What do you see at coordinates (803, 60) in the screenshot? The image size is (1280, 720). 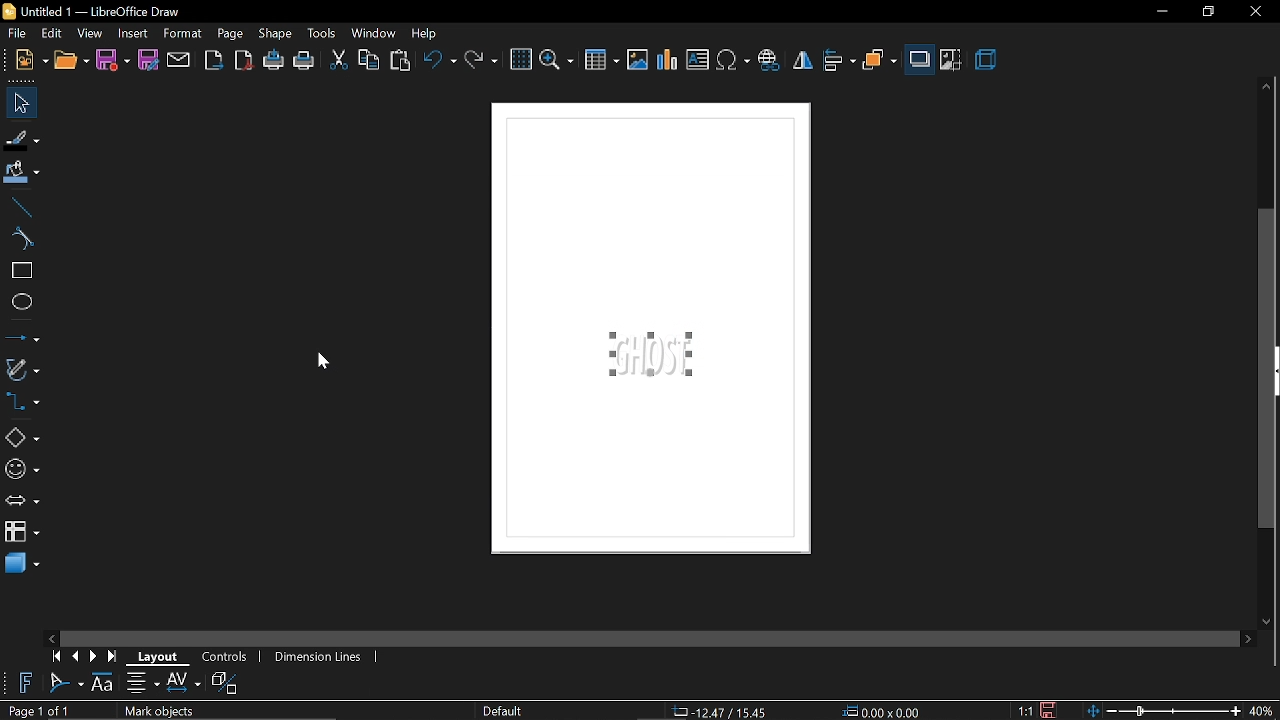 I see `flip` at bounding box center [803, 60].